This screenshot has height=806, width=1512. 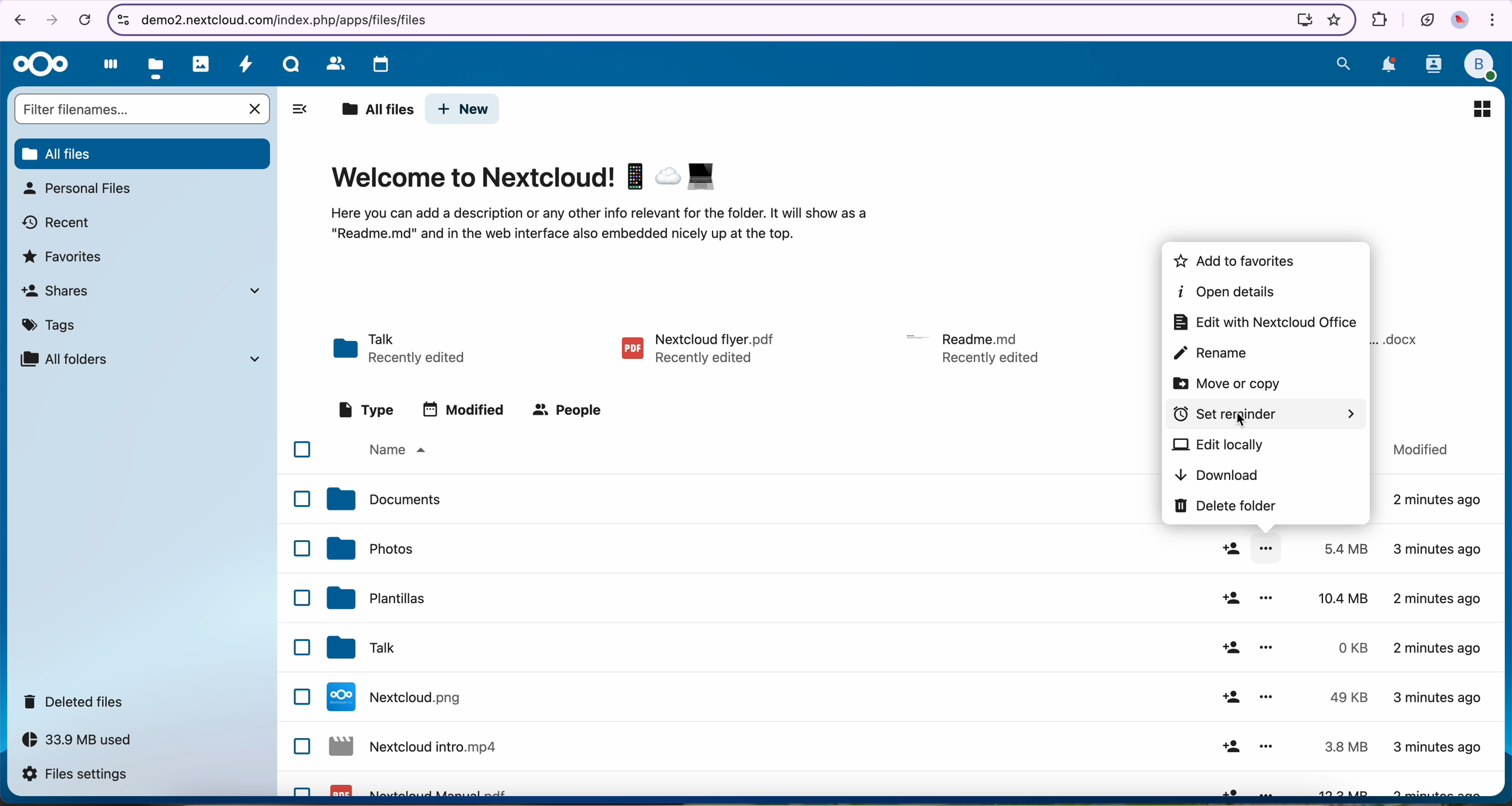 What do you see at coordinates (140, 108) in the screenshot?
I see `search bar` at bounding box center [140, 108].